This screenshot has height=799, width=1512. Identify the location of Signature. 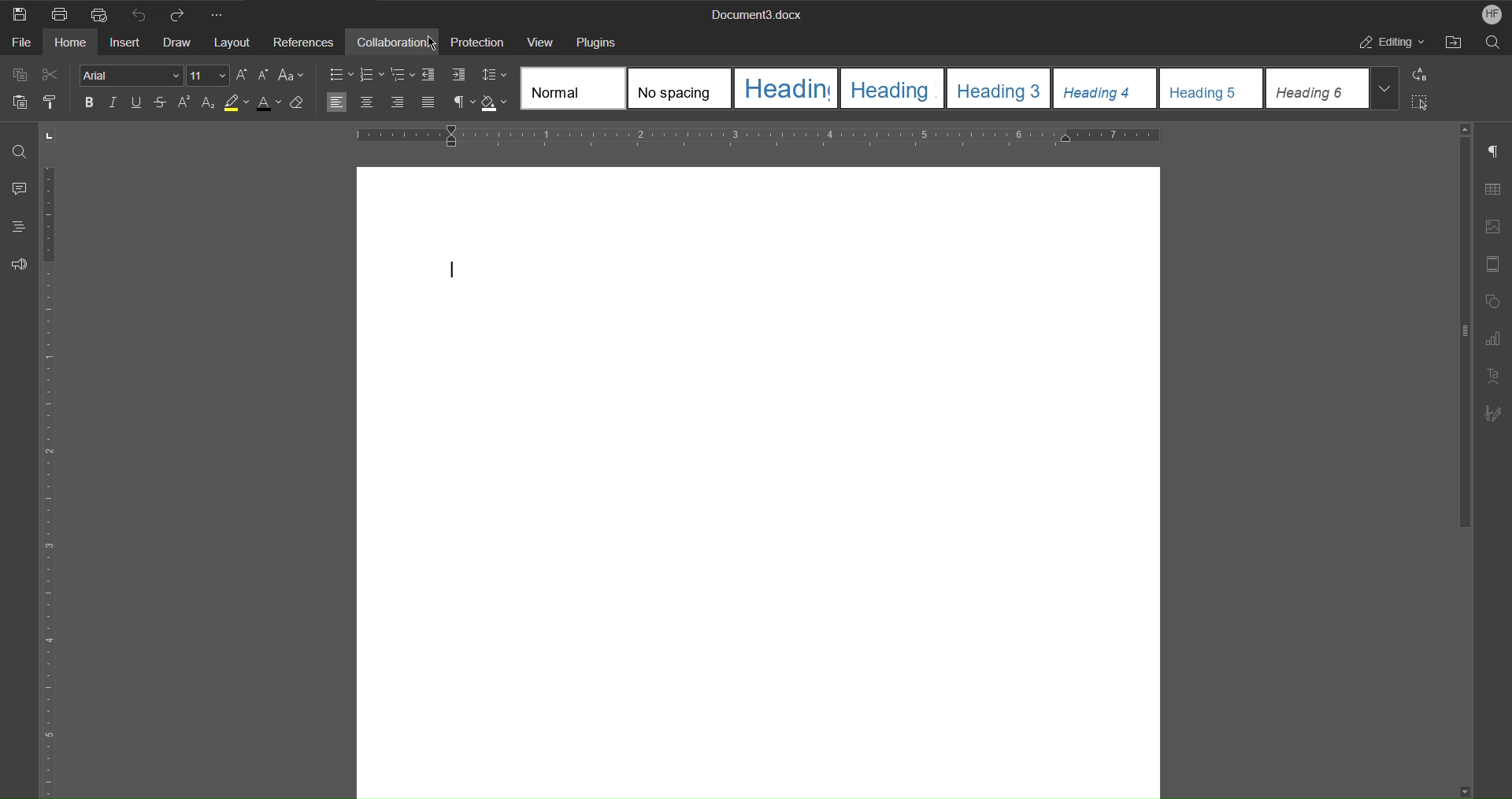
(1495, 414).